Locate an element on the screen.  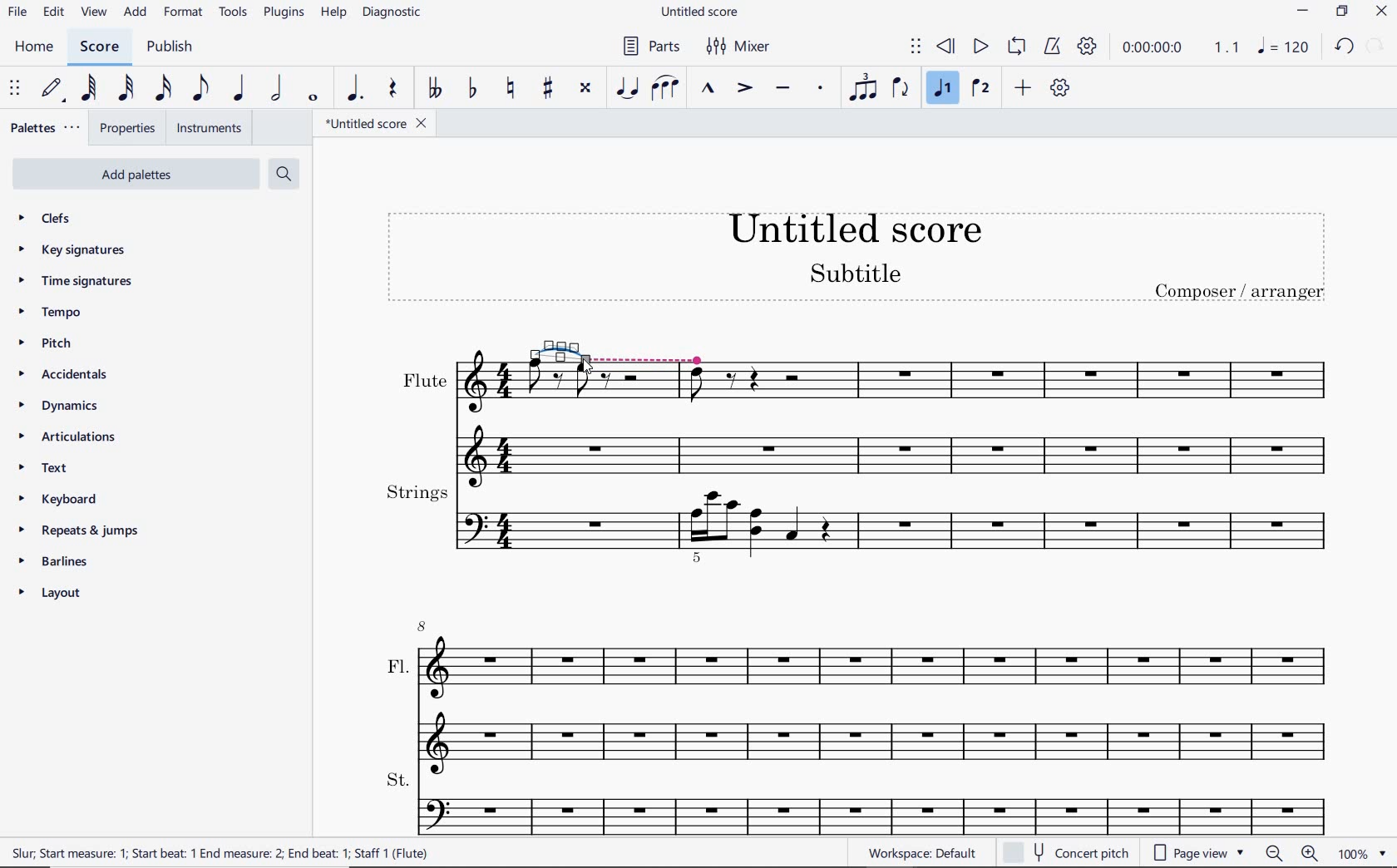
dynamics is located at coordinates (56, 406).